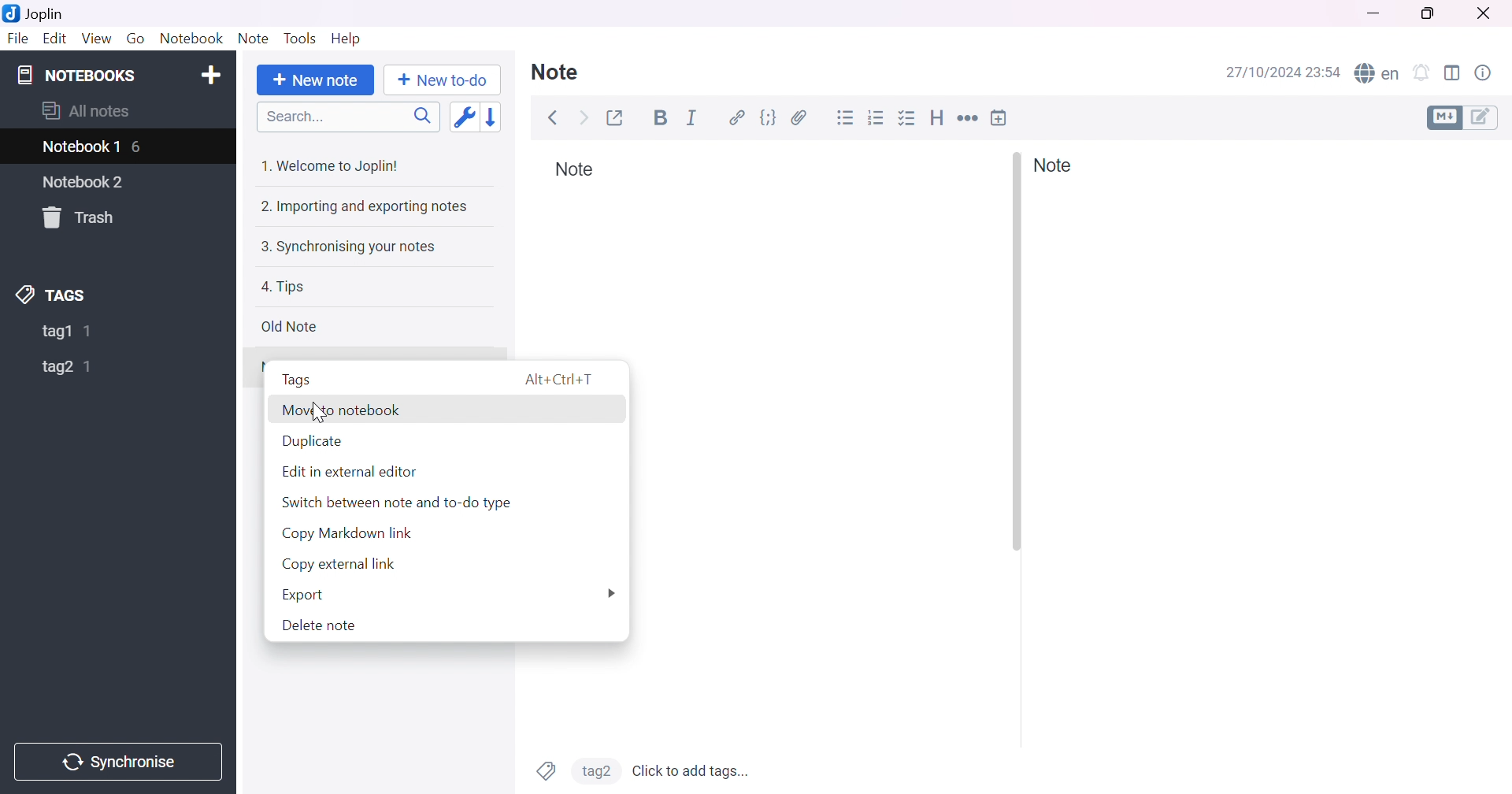 This screenshot has height=794, width=1512. I want to click on 1, so click(88, 367).